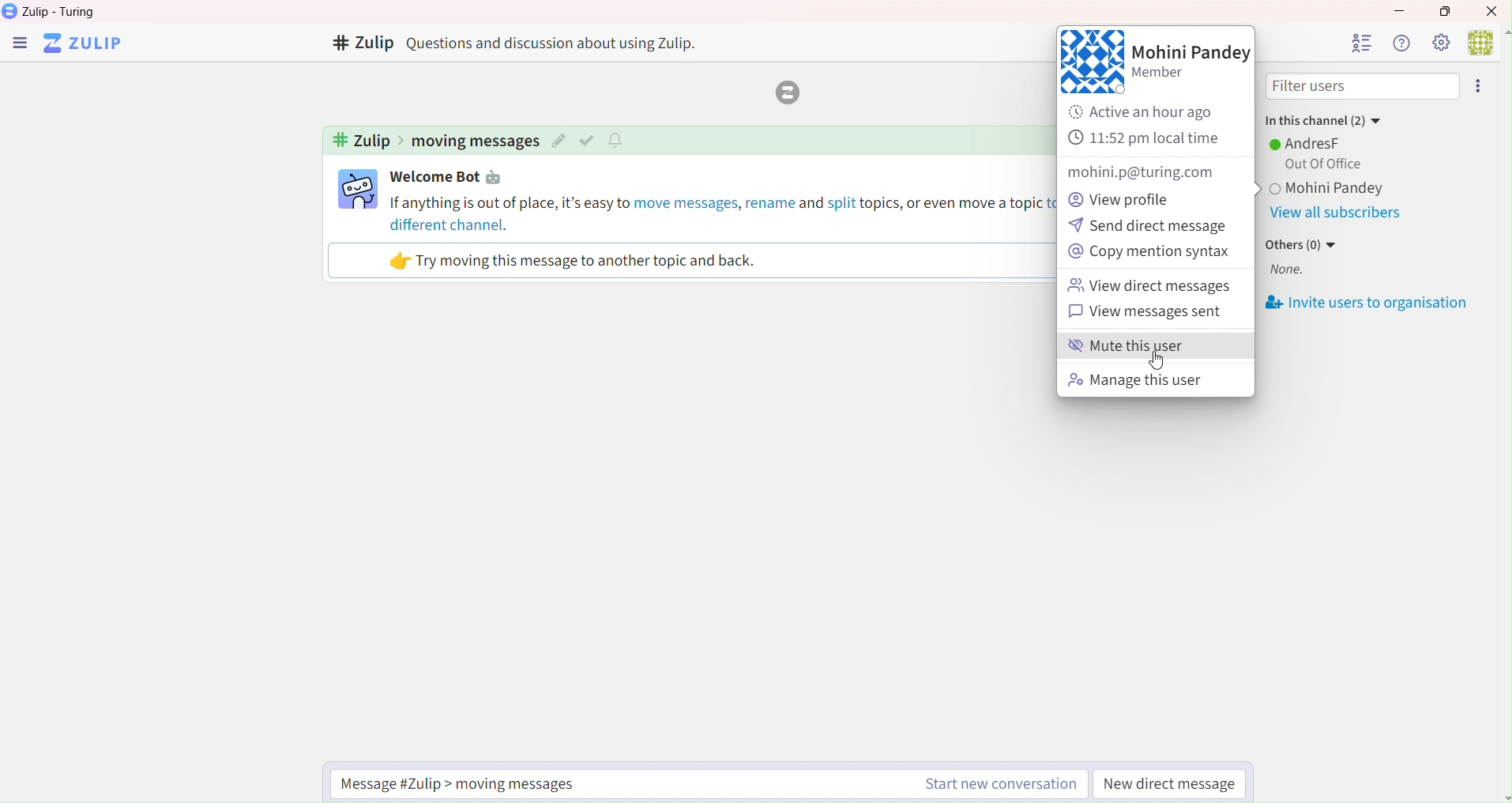 This screenshot has width=1512, height=803. What do you see at coordinates (359, 189) in the screenshot?
I see `user profile` at bounding box center [359, 189].